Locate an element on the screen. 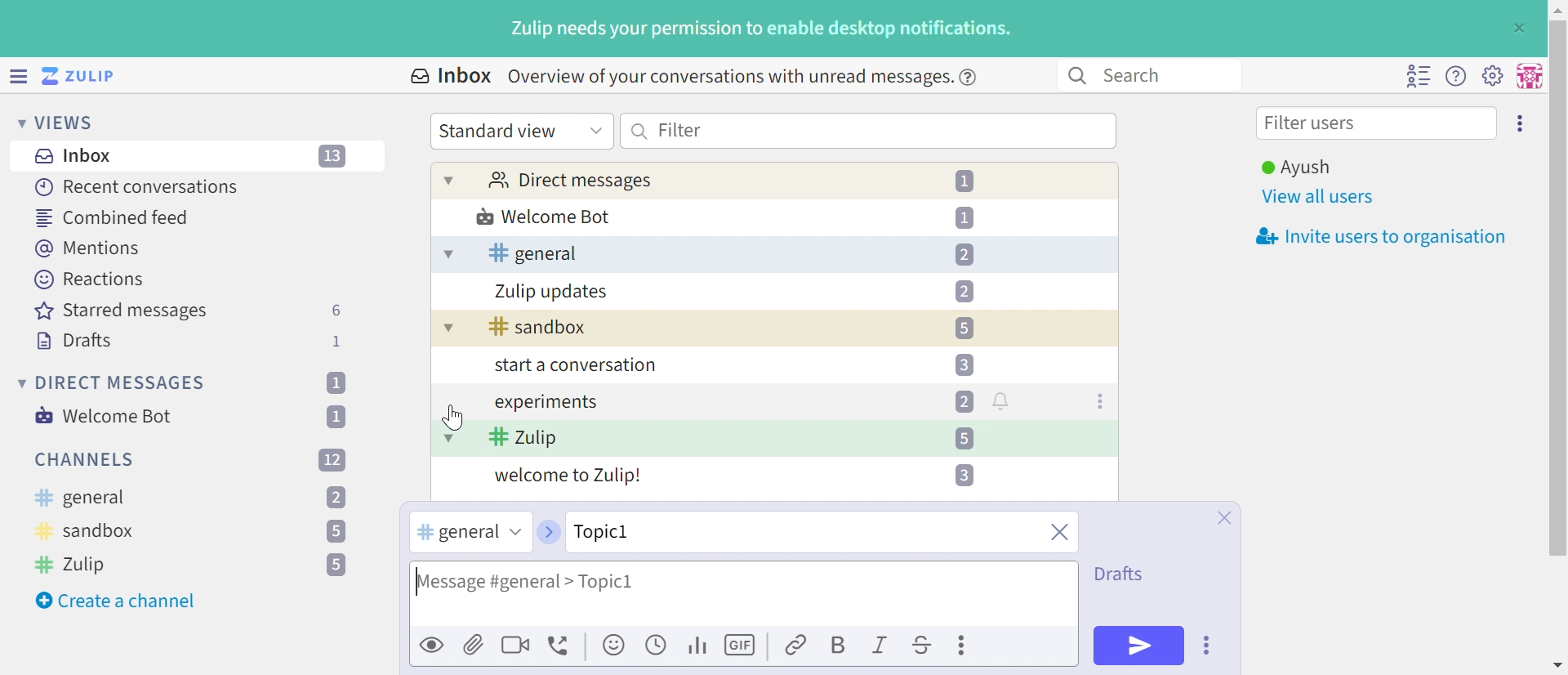 The image size is (1568, 675). Mentions is located at coordinates (91, 248).